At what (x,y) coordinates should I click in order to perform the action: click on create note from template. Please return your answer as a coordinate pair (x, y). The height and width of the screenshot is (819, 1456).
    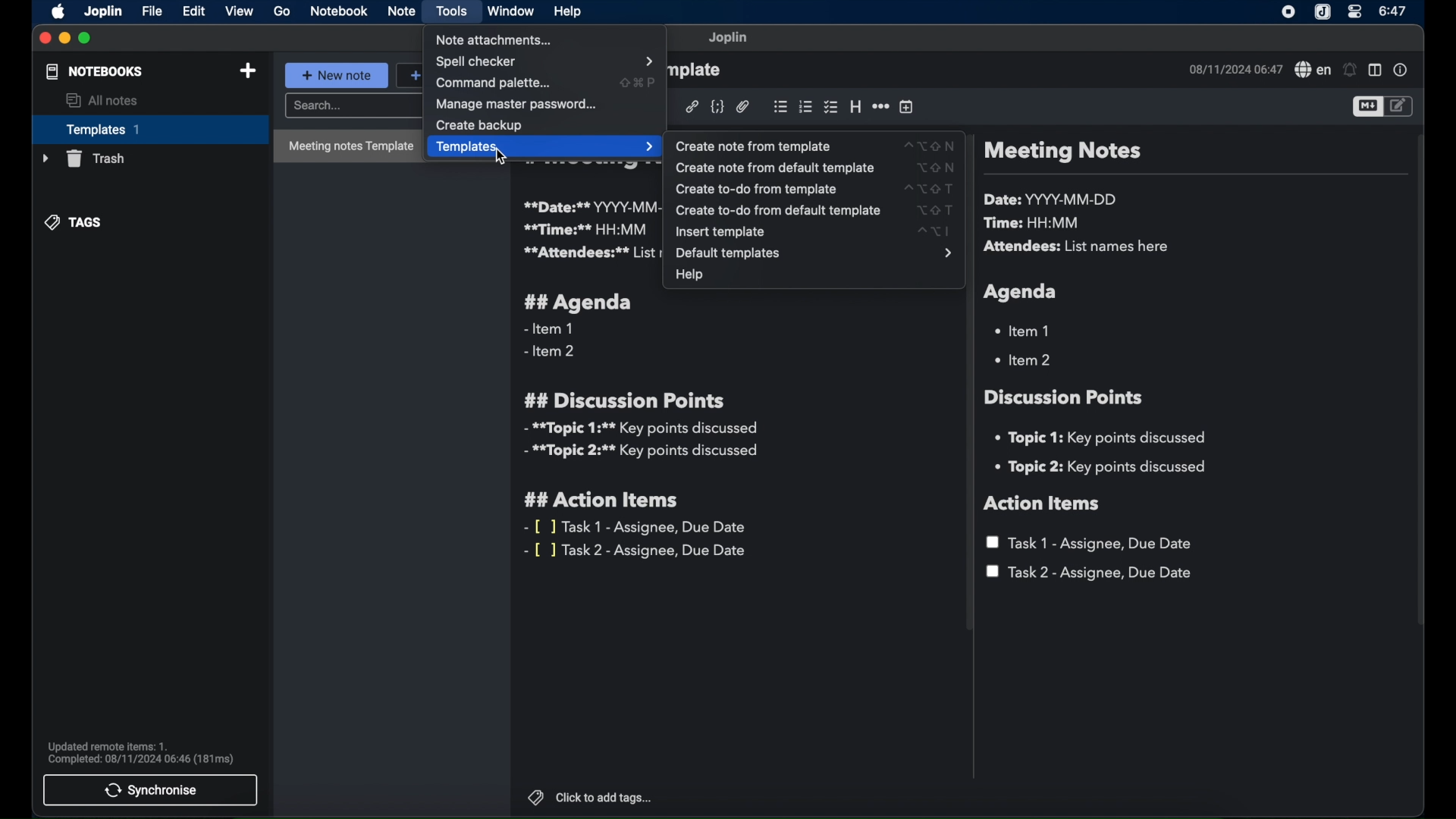
    Looking at the image, I should click on (816, 146).